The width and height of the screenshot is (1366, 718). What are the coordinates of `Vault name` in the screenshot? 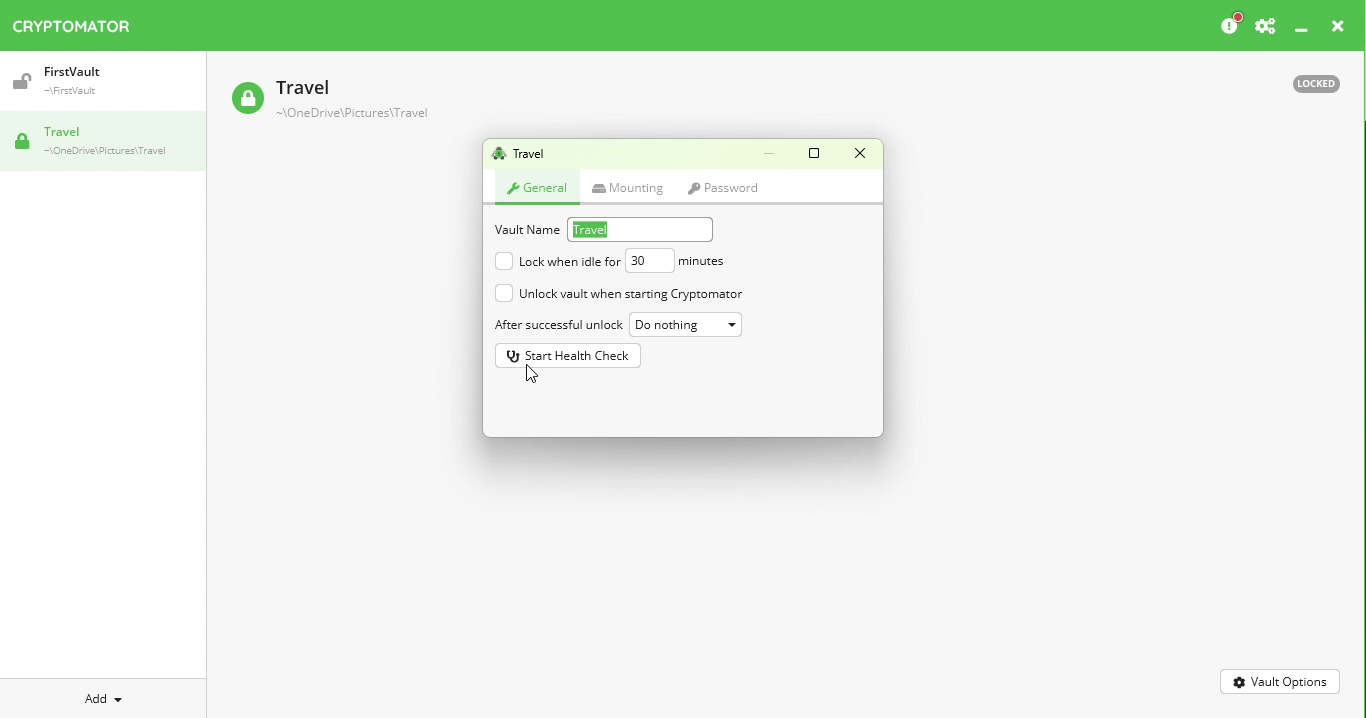 It's located at (525, 231).